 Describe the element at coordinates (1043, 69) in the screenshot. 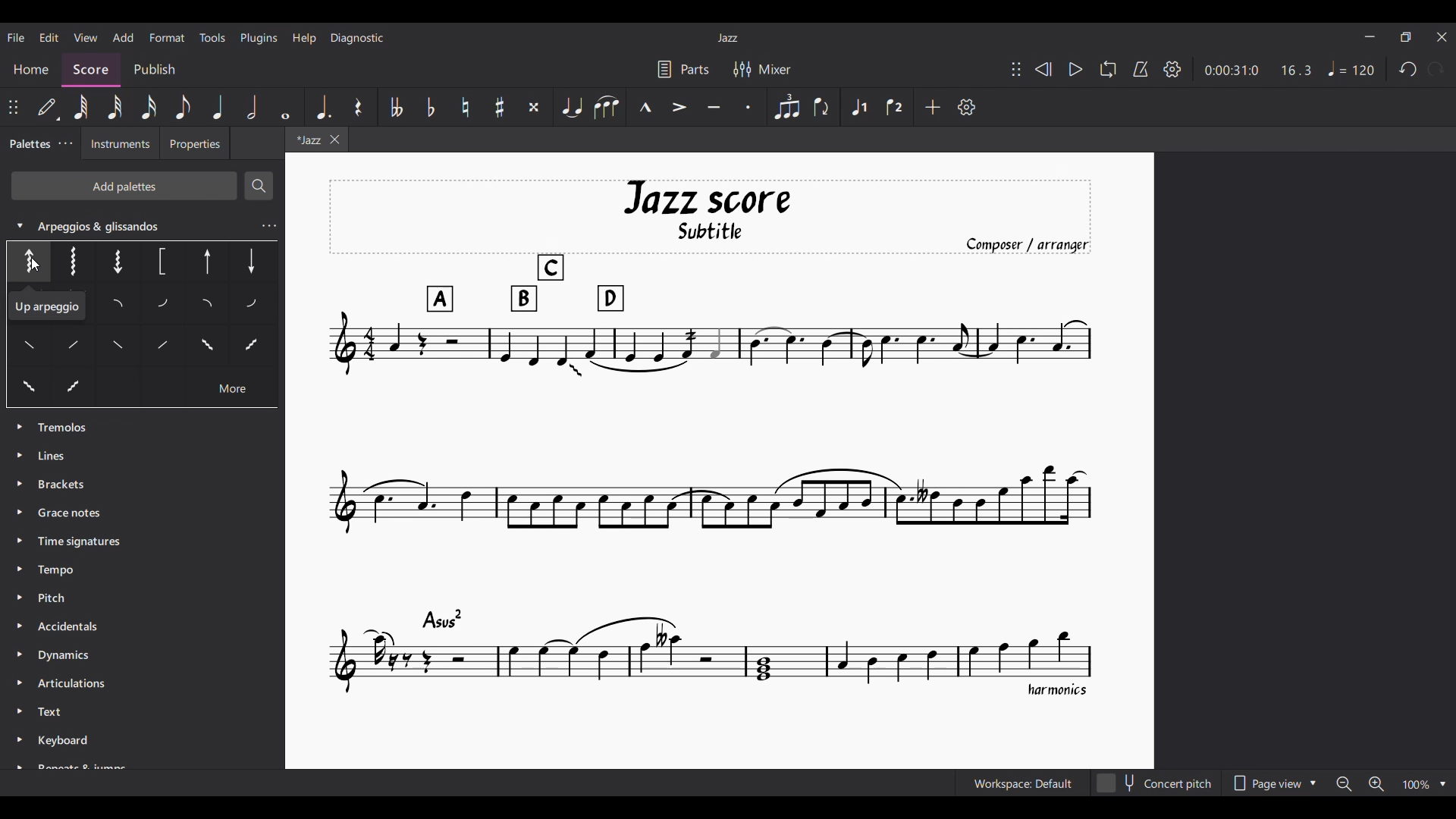

I see `Rewind` at that location.